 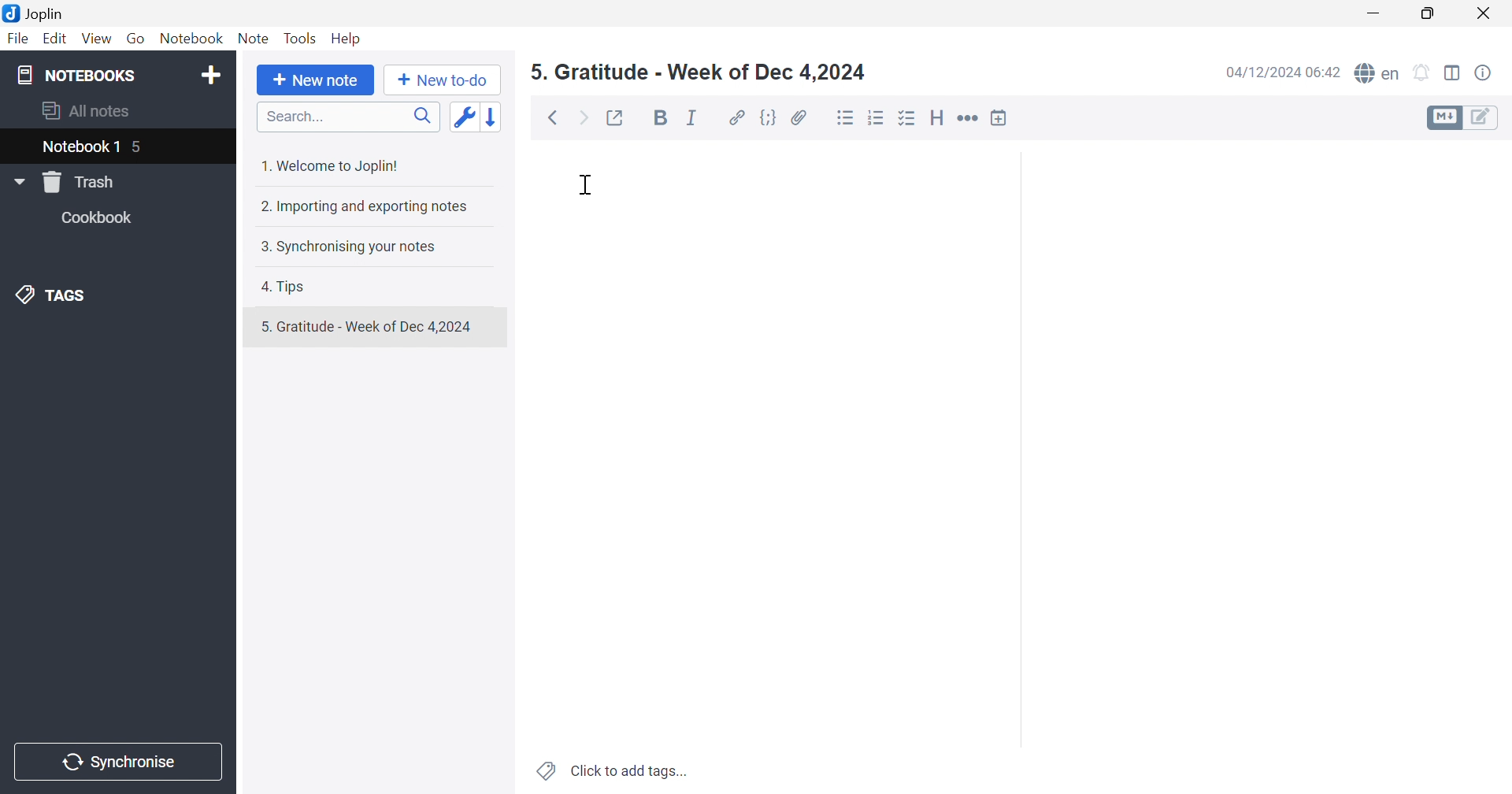 I want to click on Bulleted list, so click(x=845, y=118).